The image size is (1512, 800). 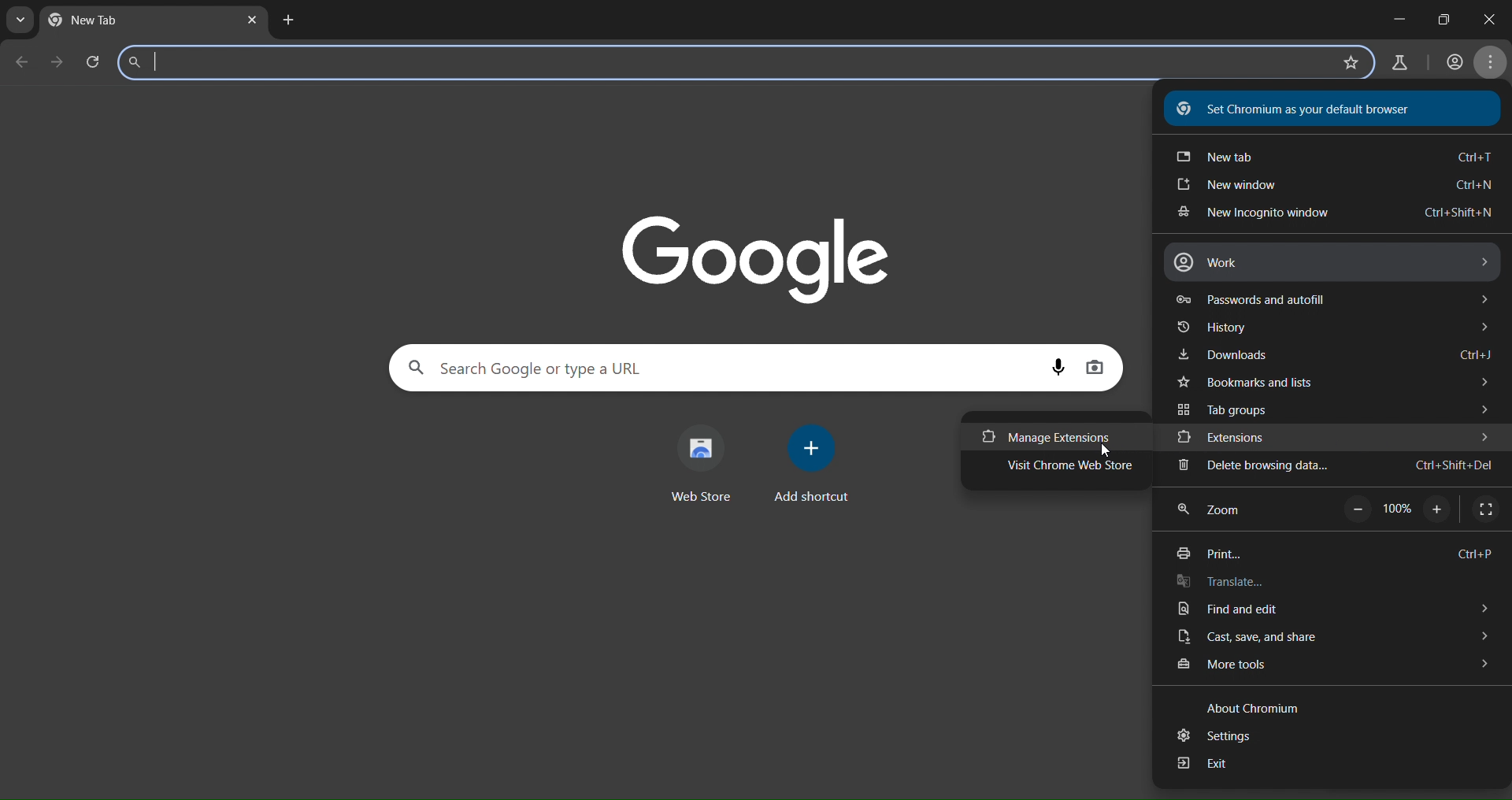 What do you see at coordinates (109, 20) in the screenshot?
I see `current tab` at bounding box center [109, 20].